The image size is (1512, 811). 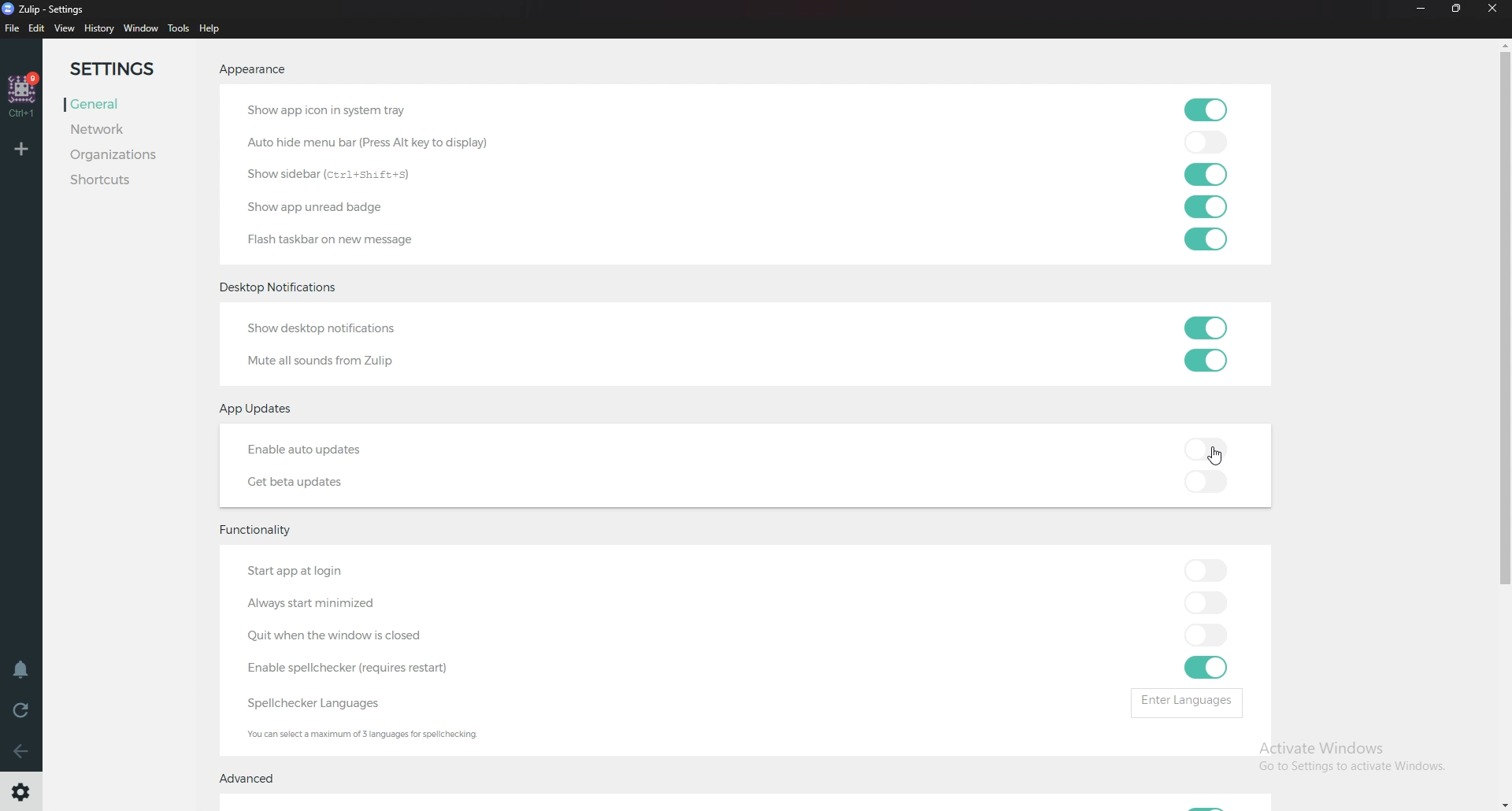 What do you see at coordinates (347, 668) in the screenshot?
I see `enable spell checker` at bounding box center [347, 668].